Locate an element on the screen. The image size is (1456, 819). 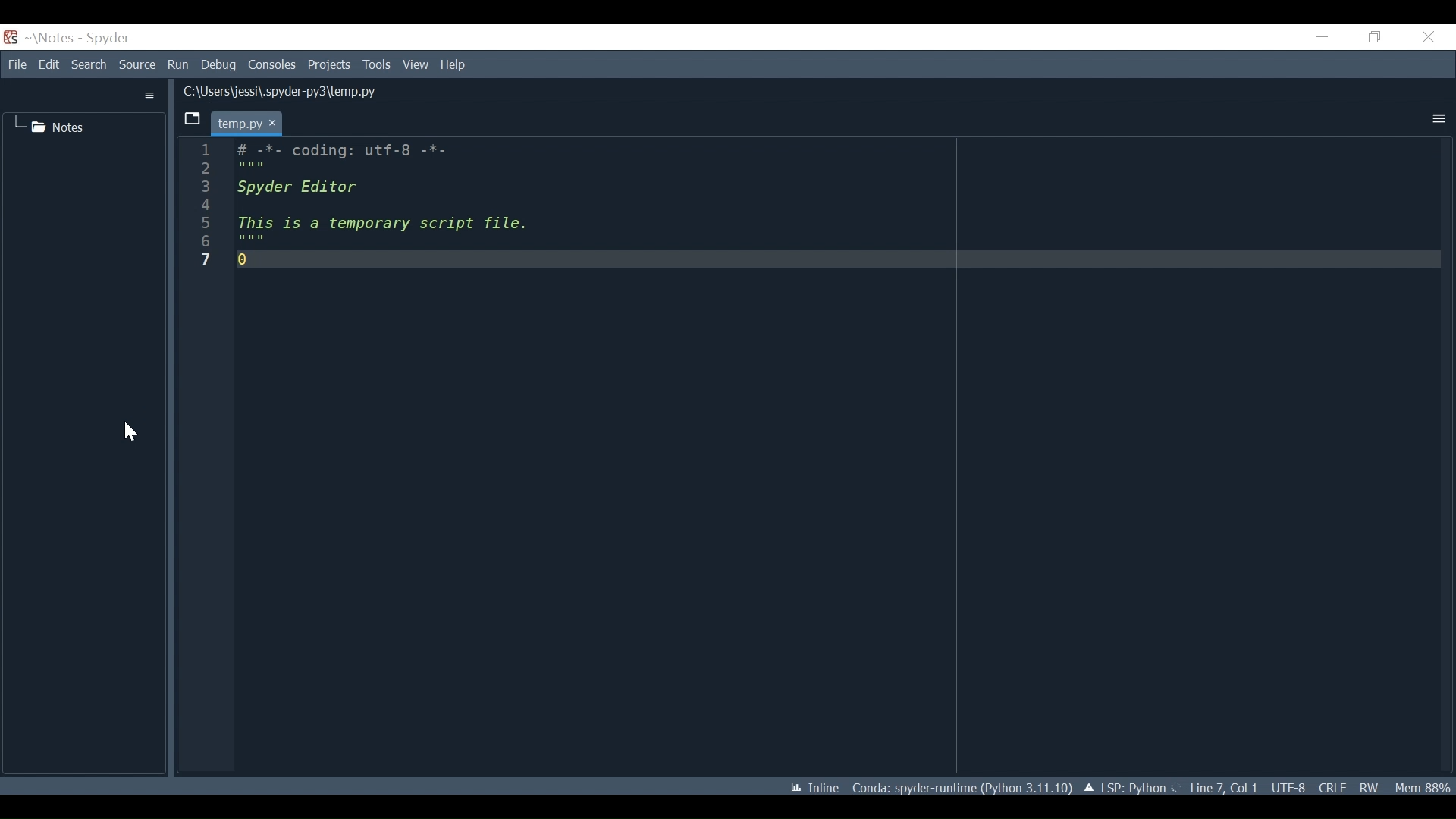
cursor is located at coordinates (129, 431).